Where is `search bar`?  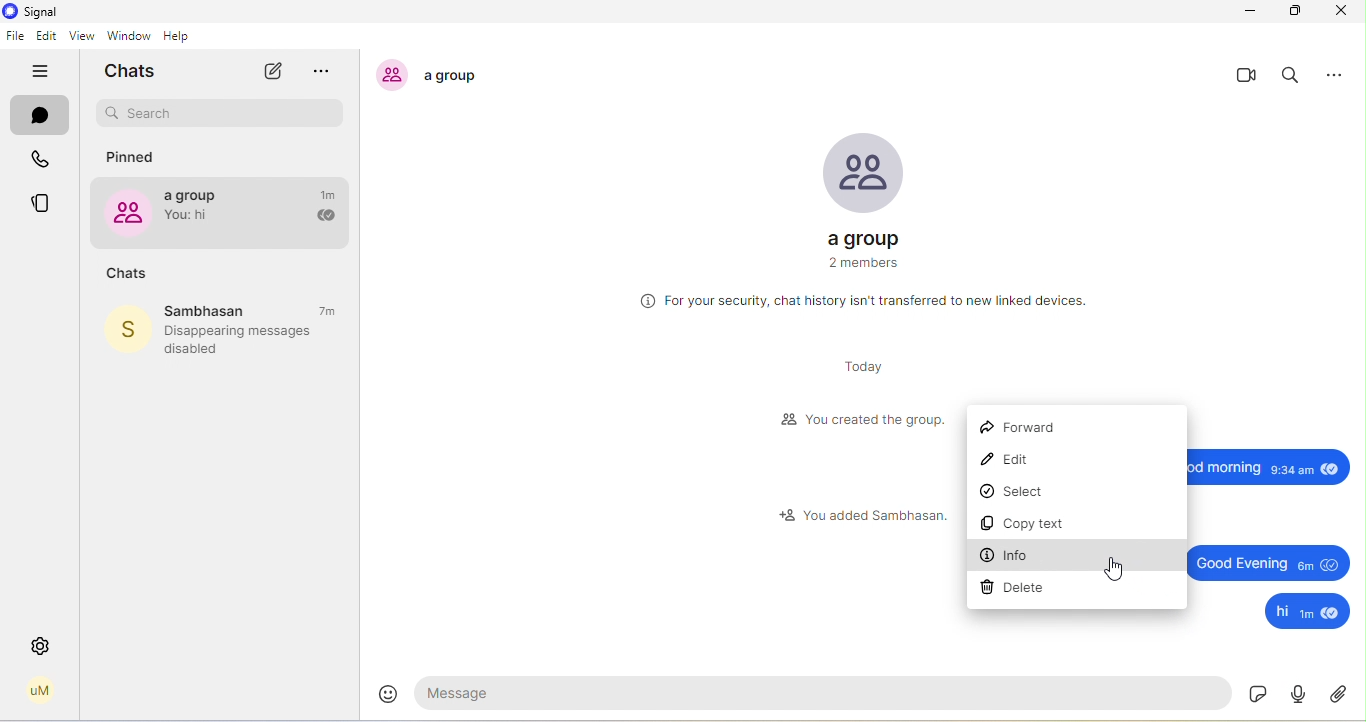 search bar is located at coordinates (221, 114).